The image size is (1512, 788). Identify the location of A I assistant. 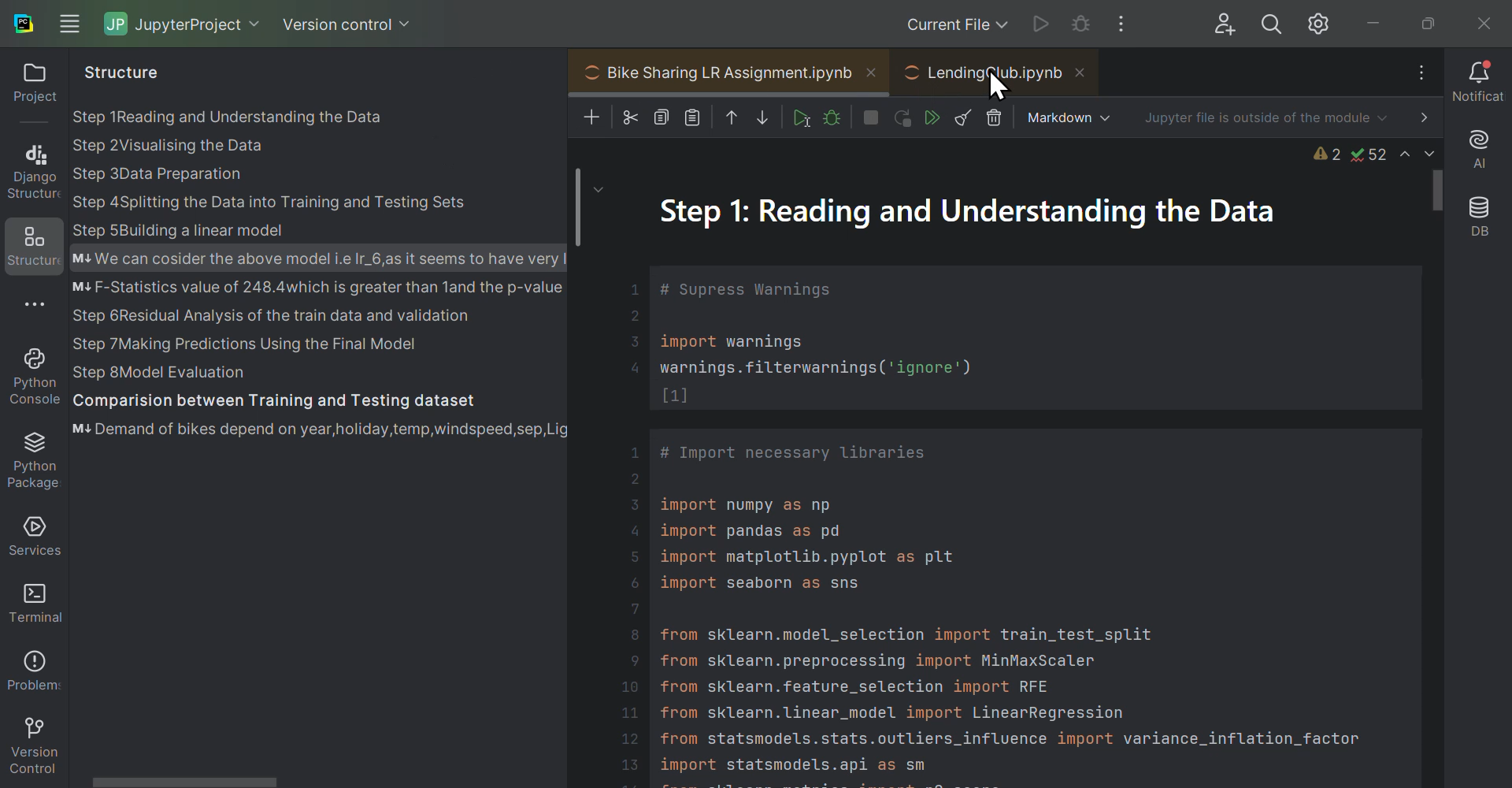
(1480, 151).